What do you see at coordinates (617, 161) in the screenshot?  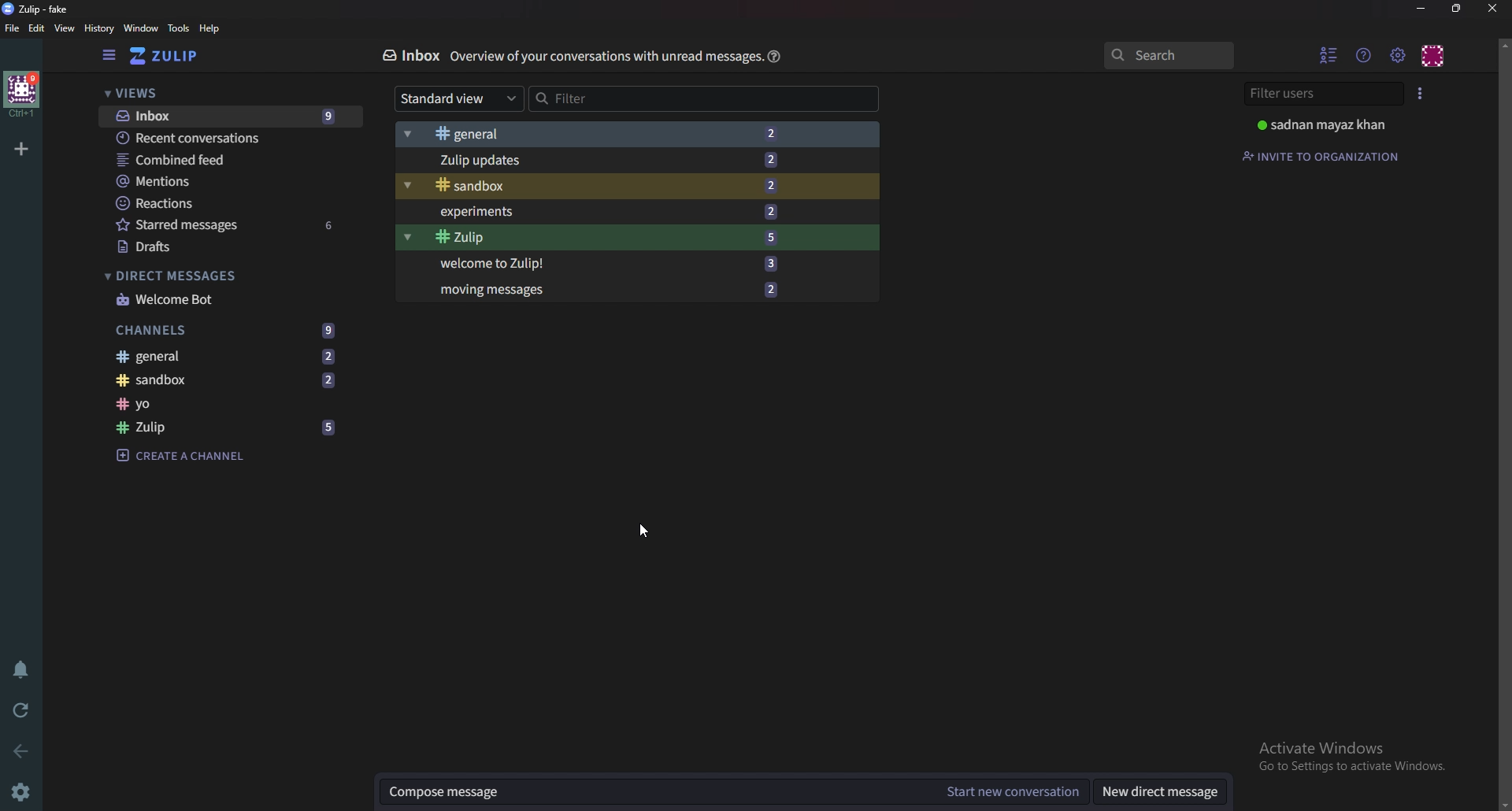 I see `zulip updates` at bounding box center [617, 161].